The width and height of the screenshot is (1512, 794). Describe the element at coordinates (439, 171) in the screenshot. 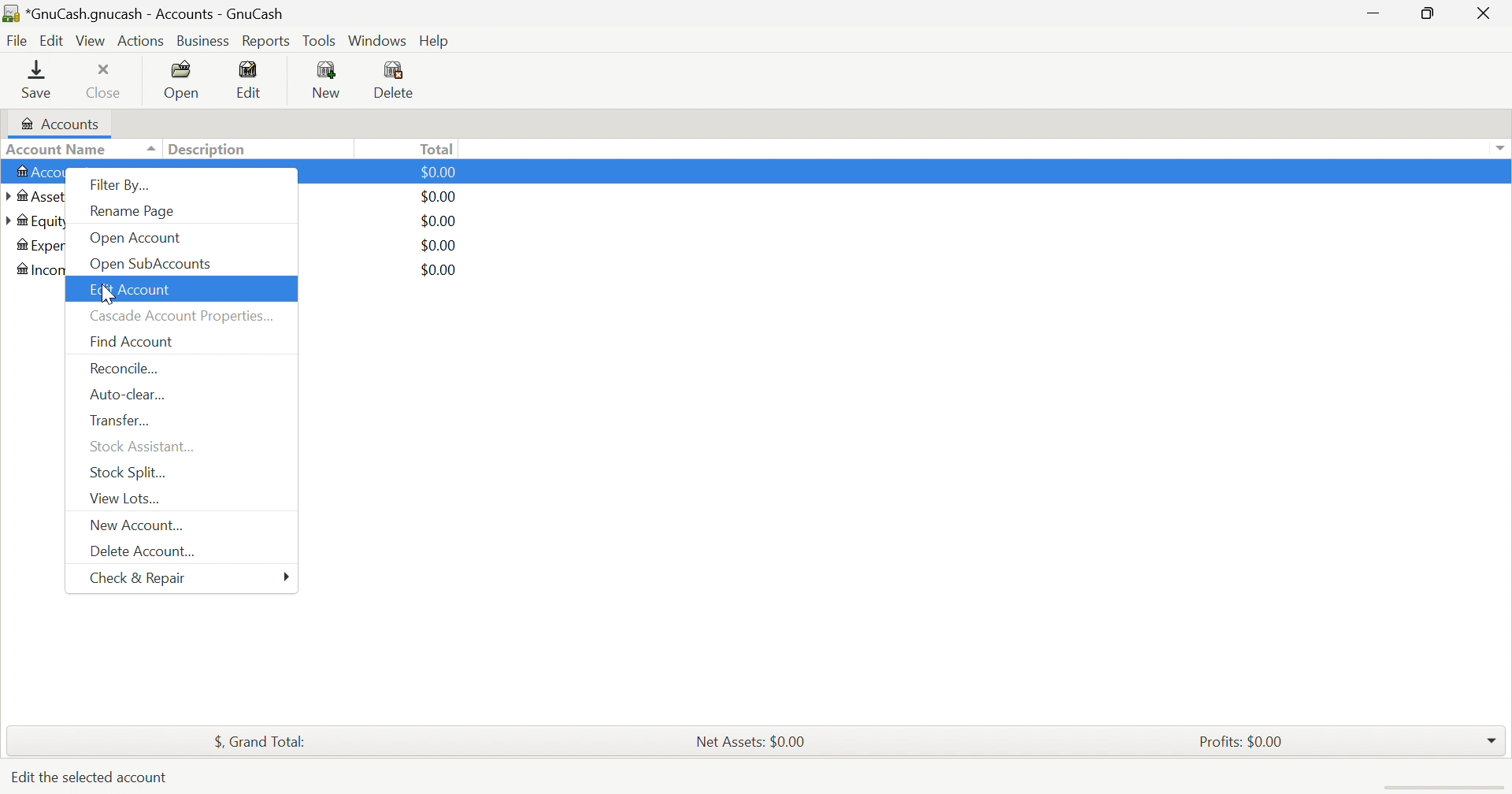

I see `$0.00` at that location.